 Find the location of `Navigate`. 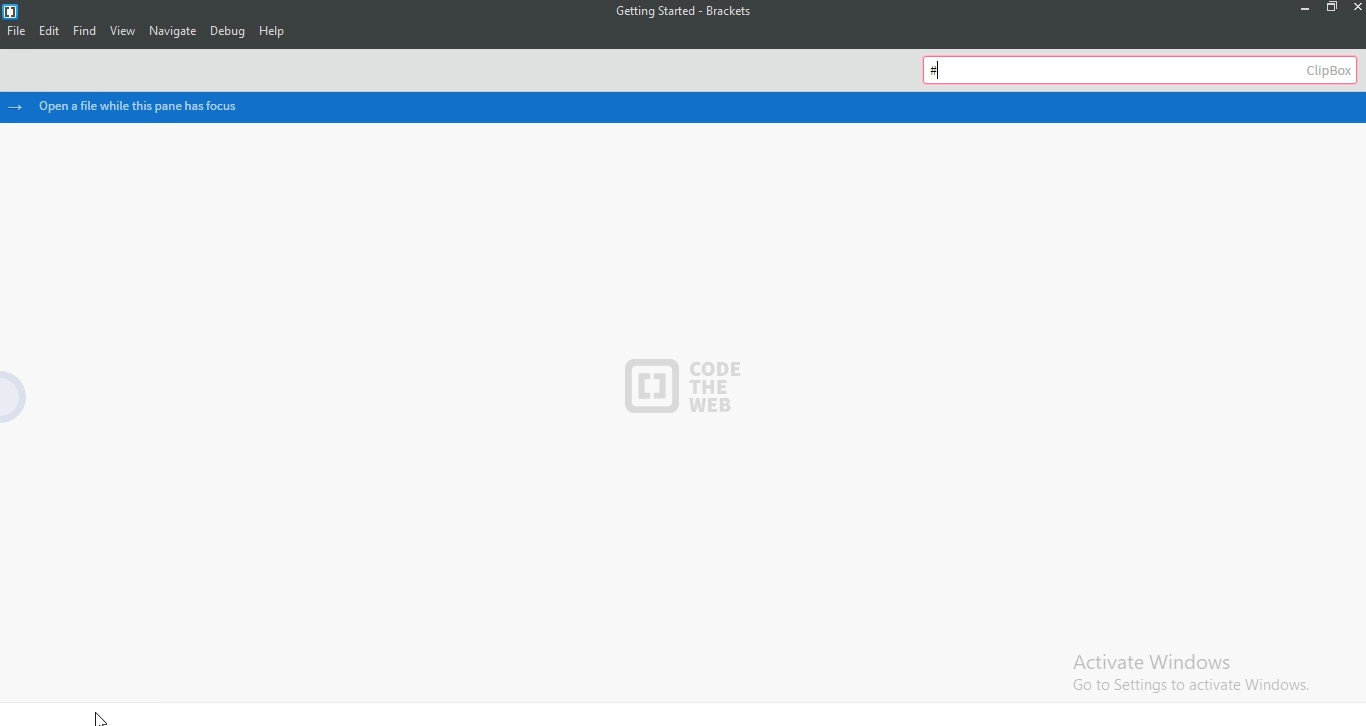

Navigate is located at coordinates (173, 32).